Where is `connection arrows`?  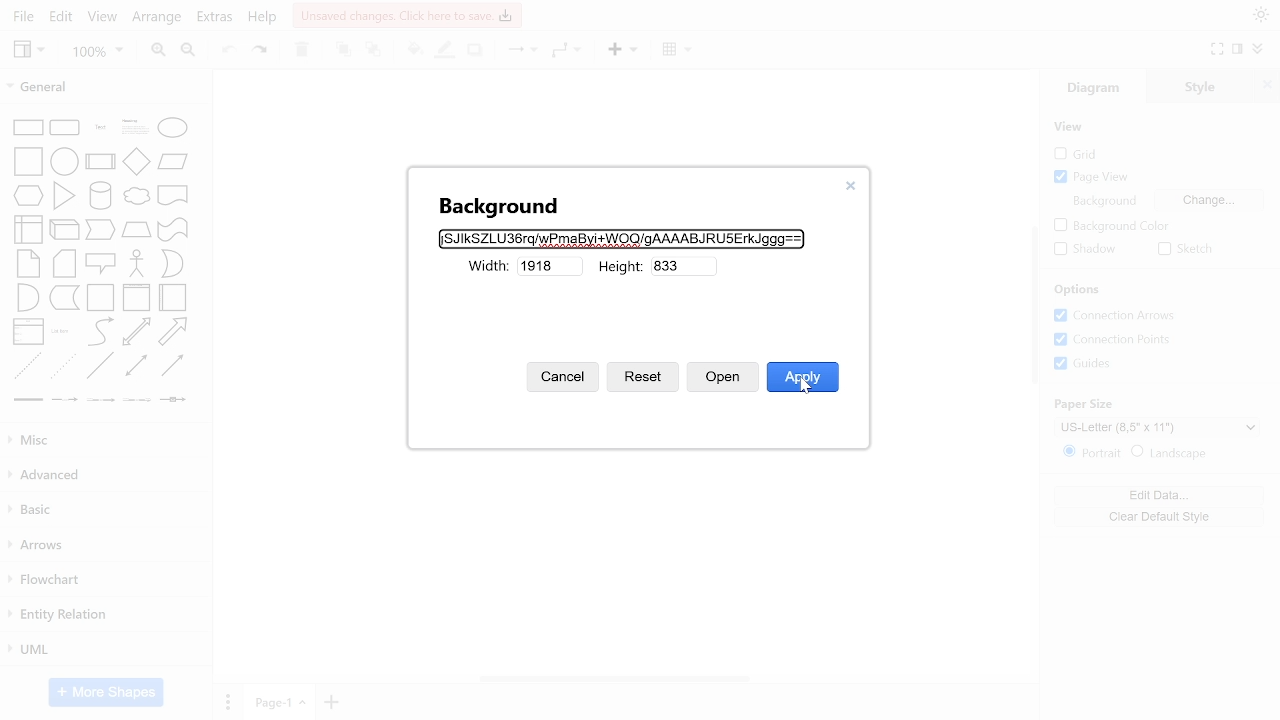
connection arrows is located at coordinates (1119, 316).